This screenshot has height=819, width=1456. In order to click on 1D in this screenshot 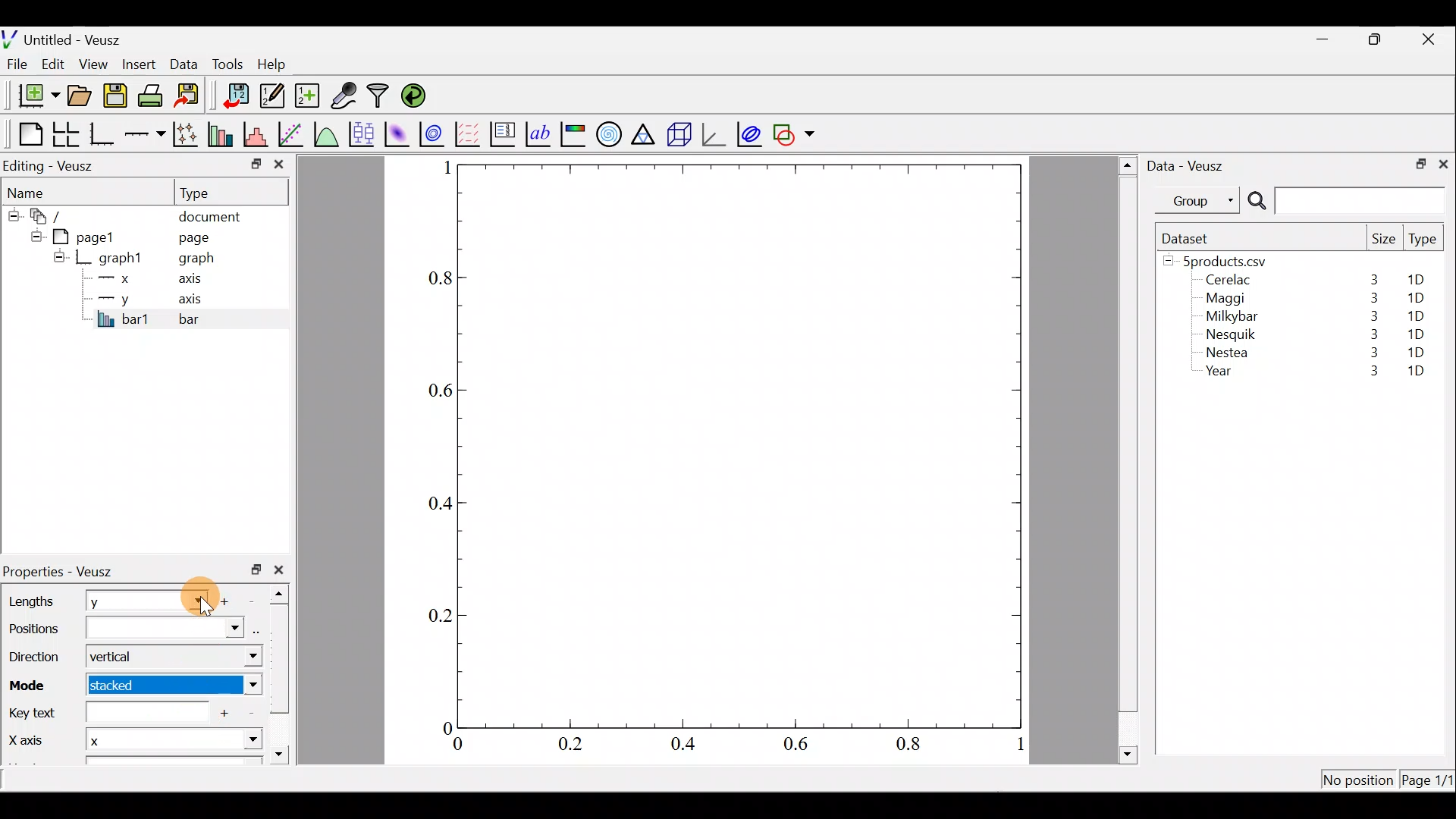, I will do `click(1412, 315)`.